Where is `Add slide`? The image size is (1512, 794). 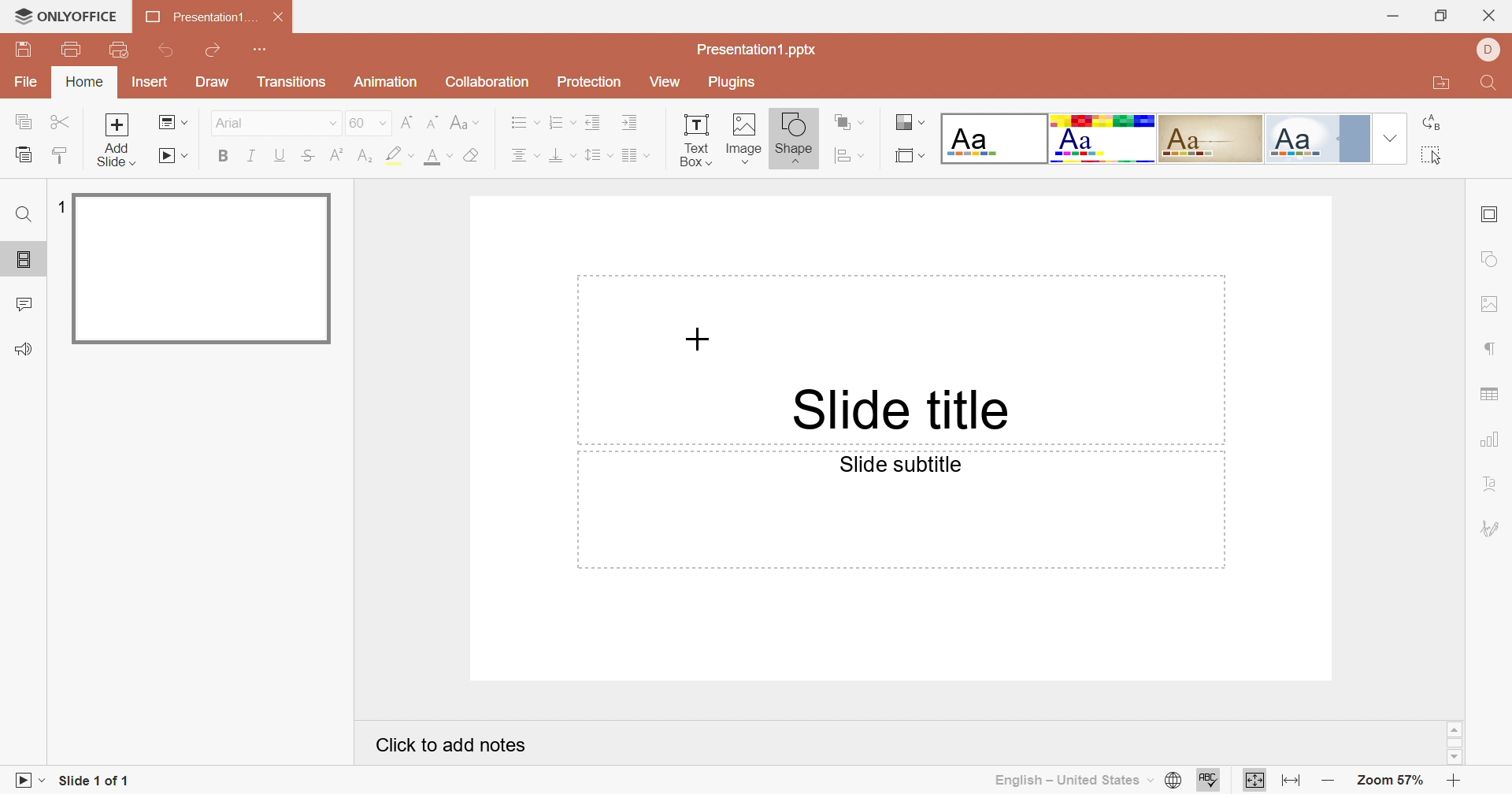
Add slide is located at coordinates (117, 140).